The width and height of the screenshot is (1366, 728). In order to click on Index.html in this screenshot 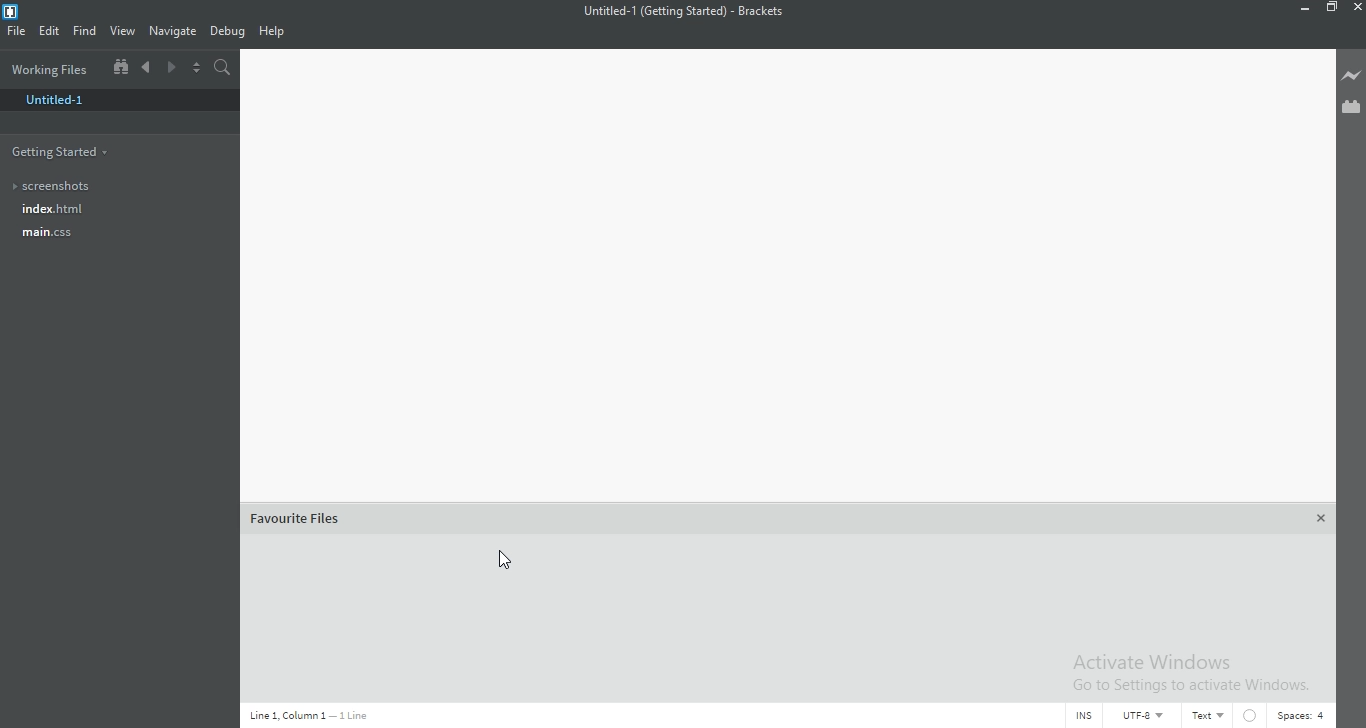, I will do `click(110, 209)`.